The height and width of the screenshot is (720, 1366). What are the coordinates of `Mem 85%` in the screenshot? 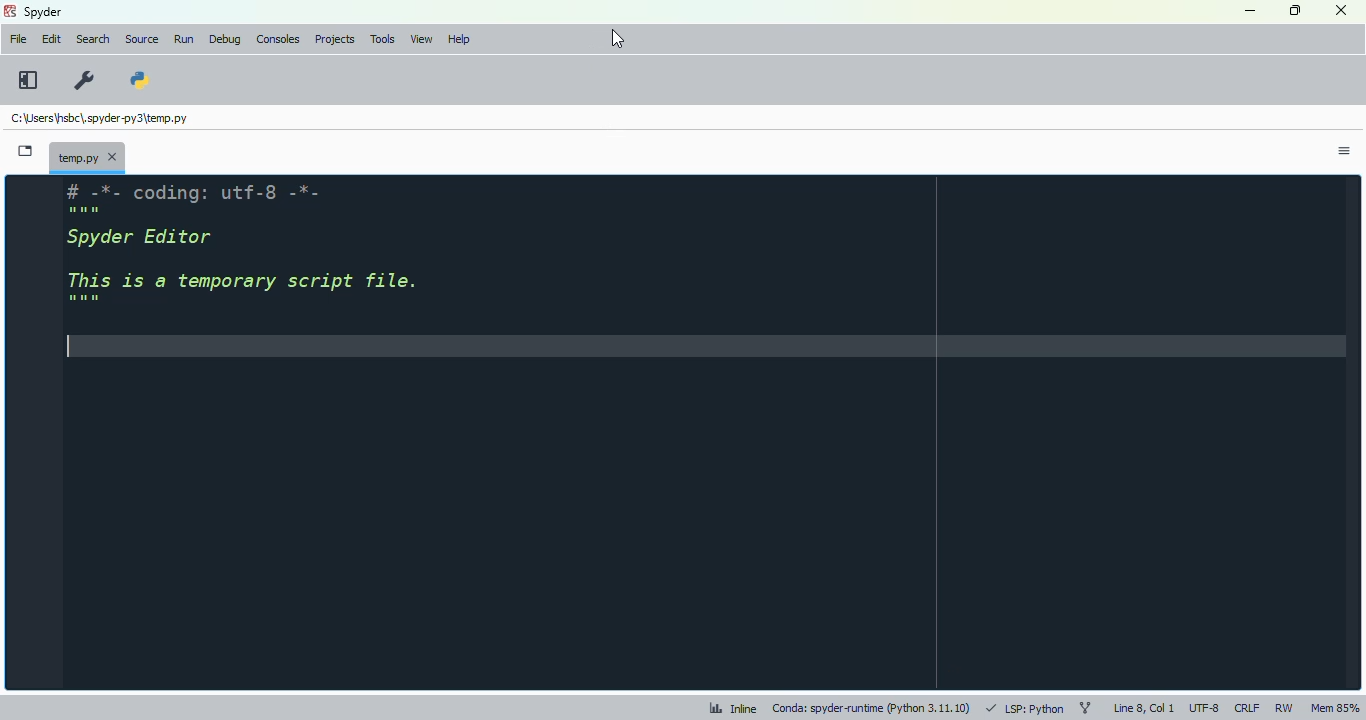 It's located at (1334, 707).